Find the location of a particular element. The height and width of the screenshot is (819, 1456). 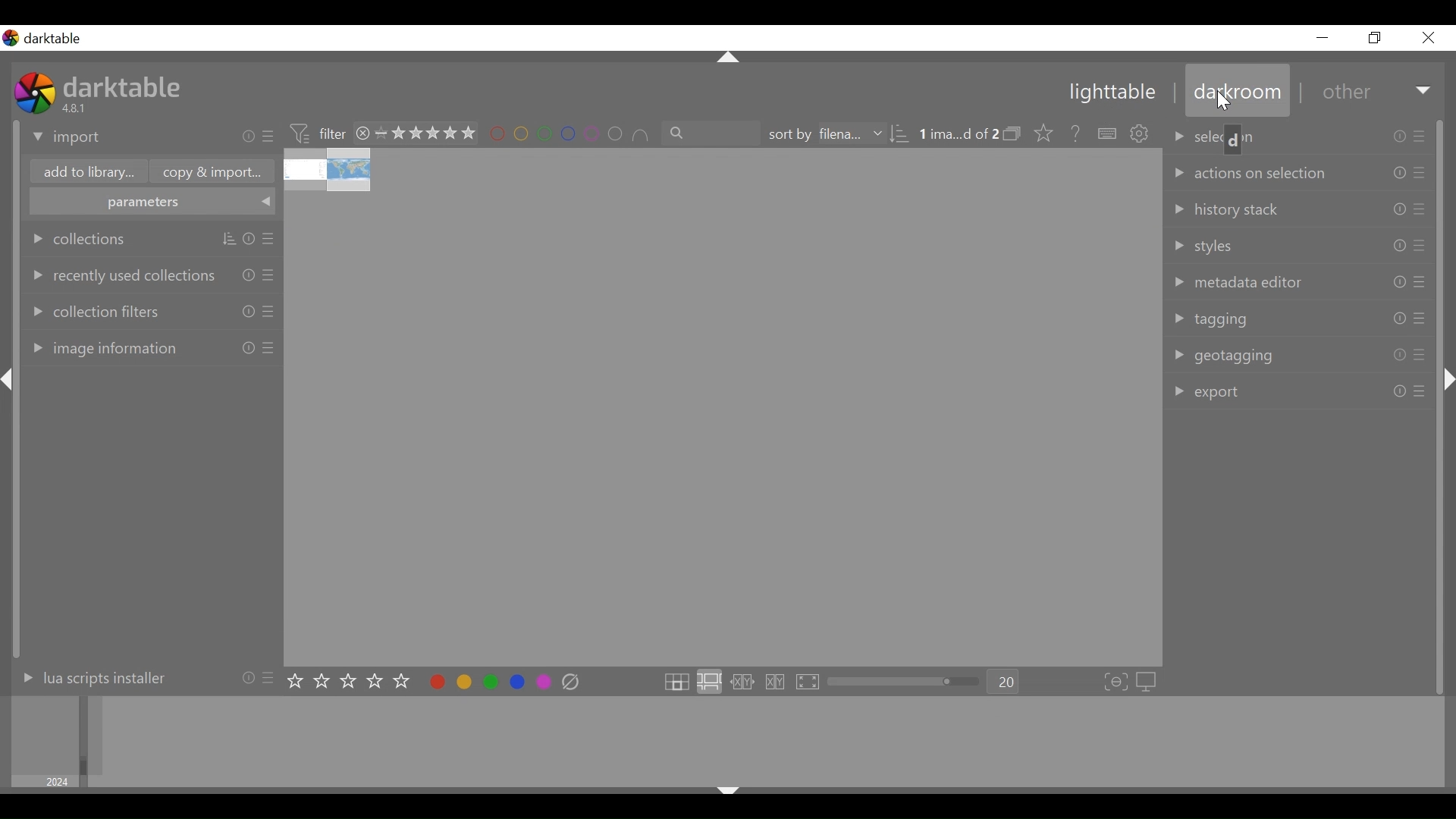

set star rating on selected image is located at coordinates (352, 682).